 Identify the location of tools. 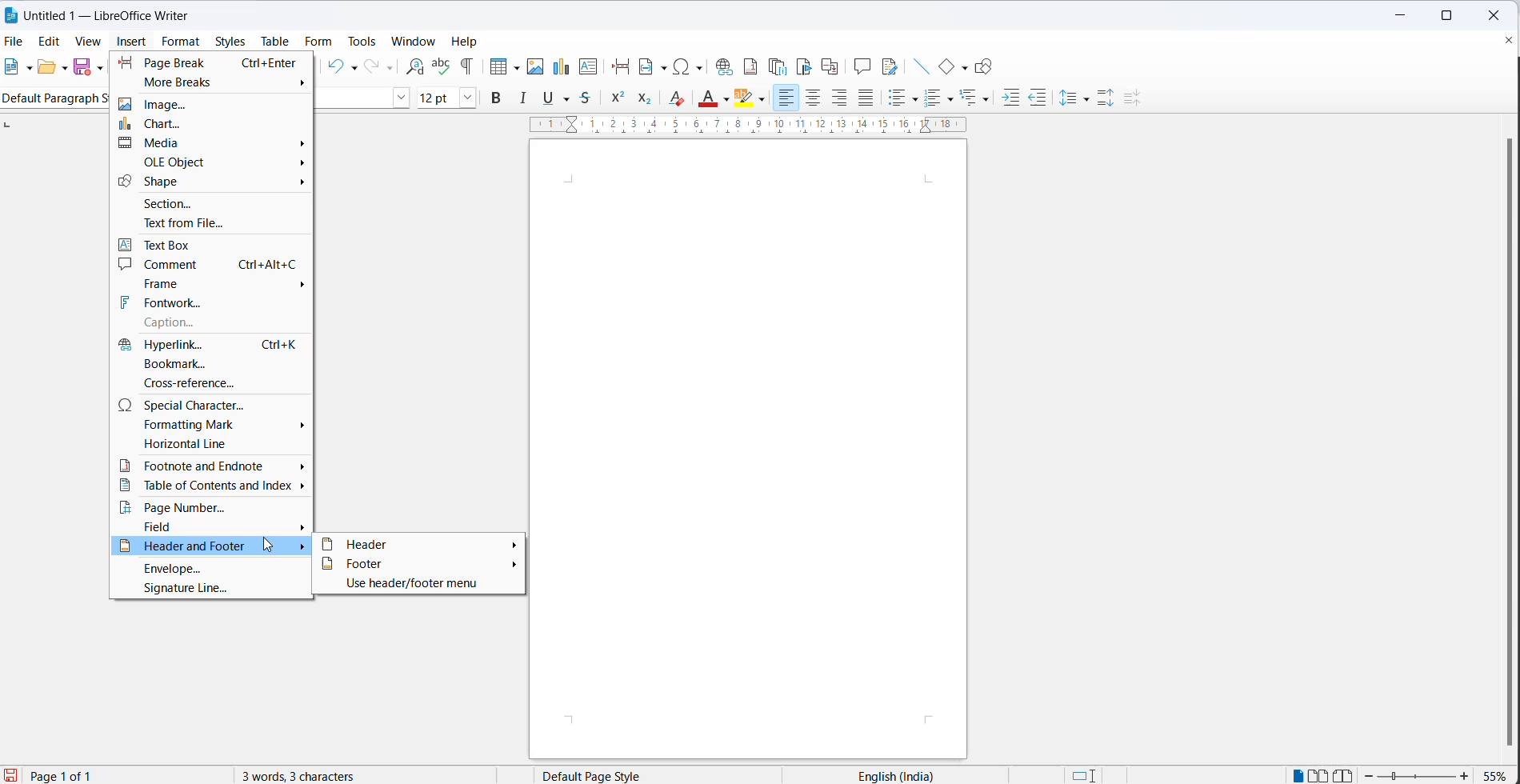
(360, 40).